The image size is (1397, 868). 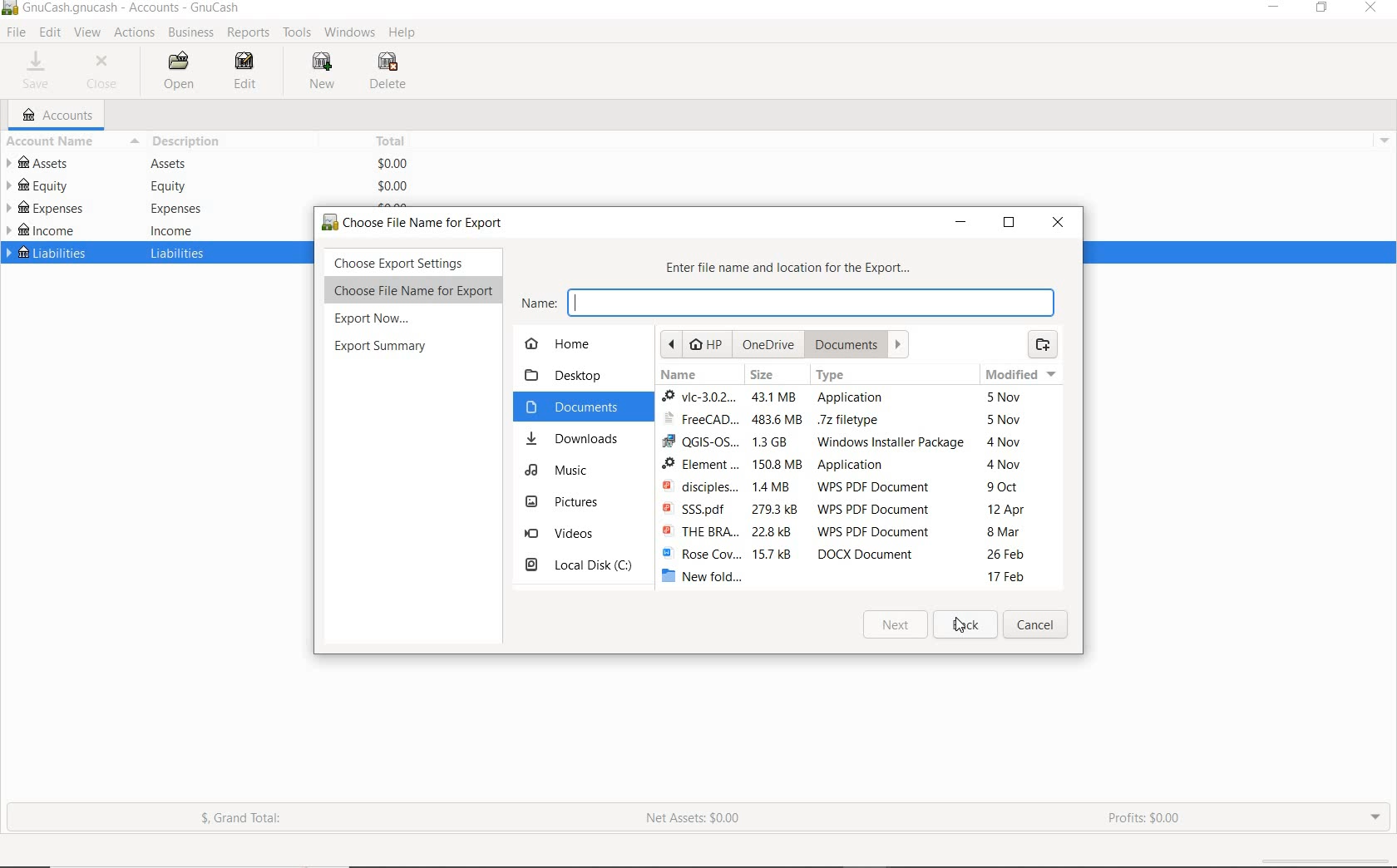 What do you see at coordinates (567, 347) in the screenshot?
I see `home` at bounding box center [567, 347].